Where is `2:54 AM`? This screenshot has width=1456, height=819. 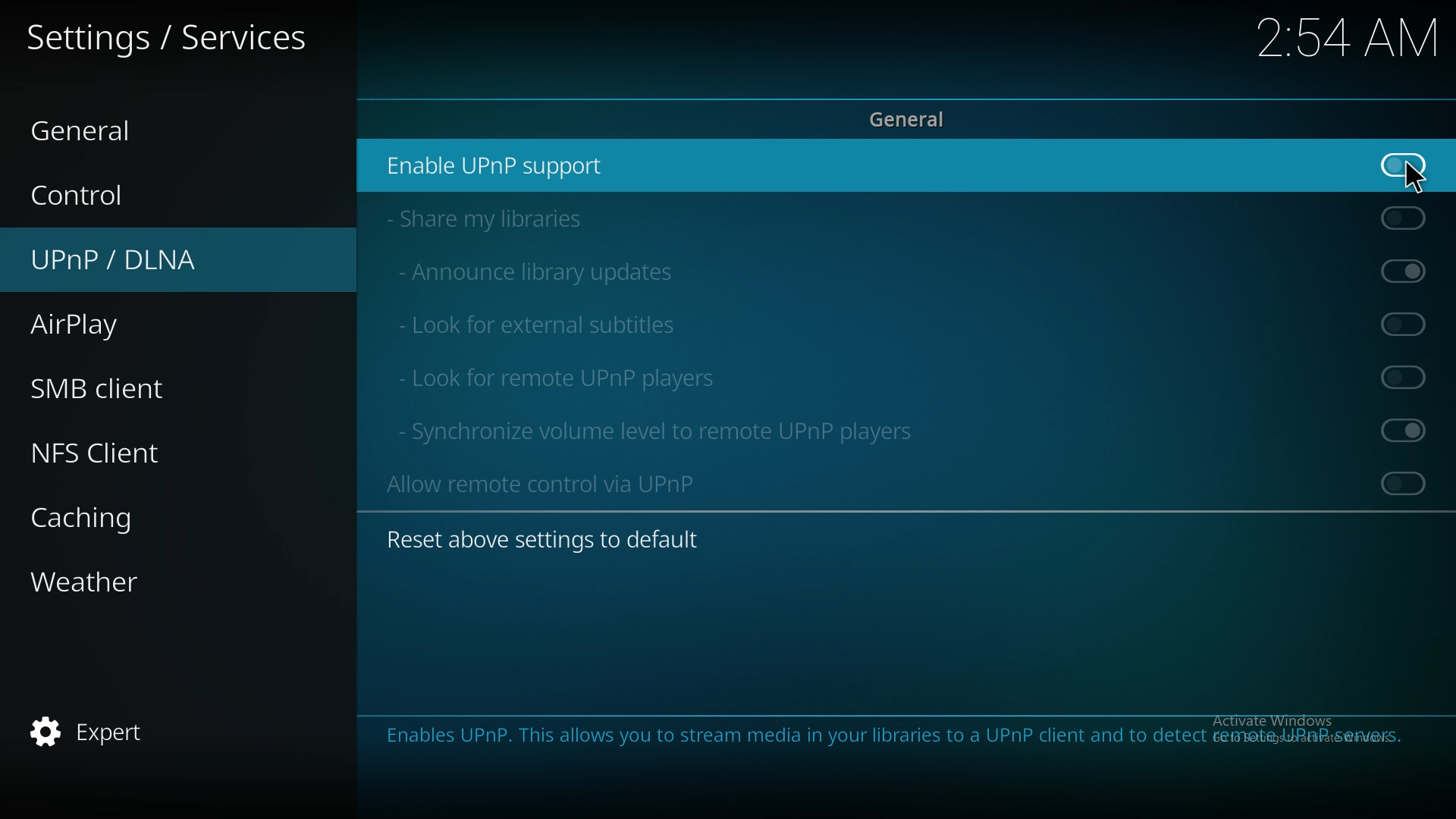 2:54 AM is located at coordinates (1344, 43).